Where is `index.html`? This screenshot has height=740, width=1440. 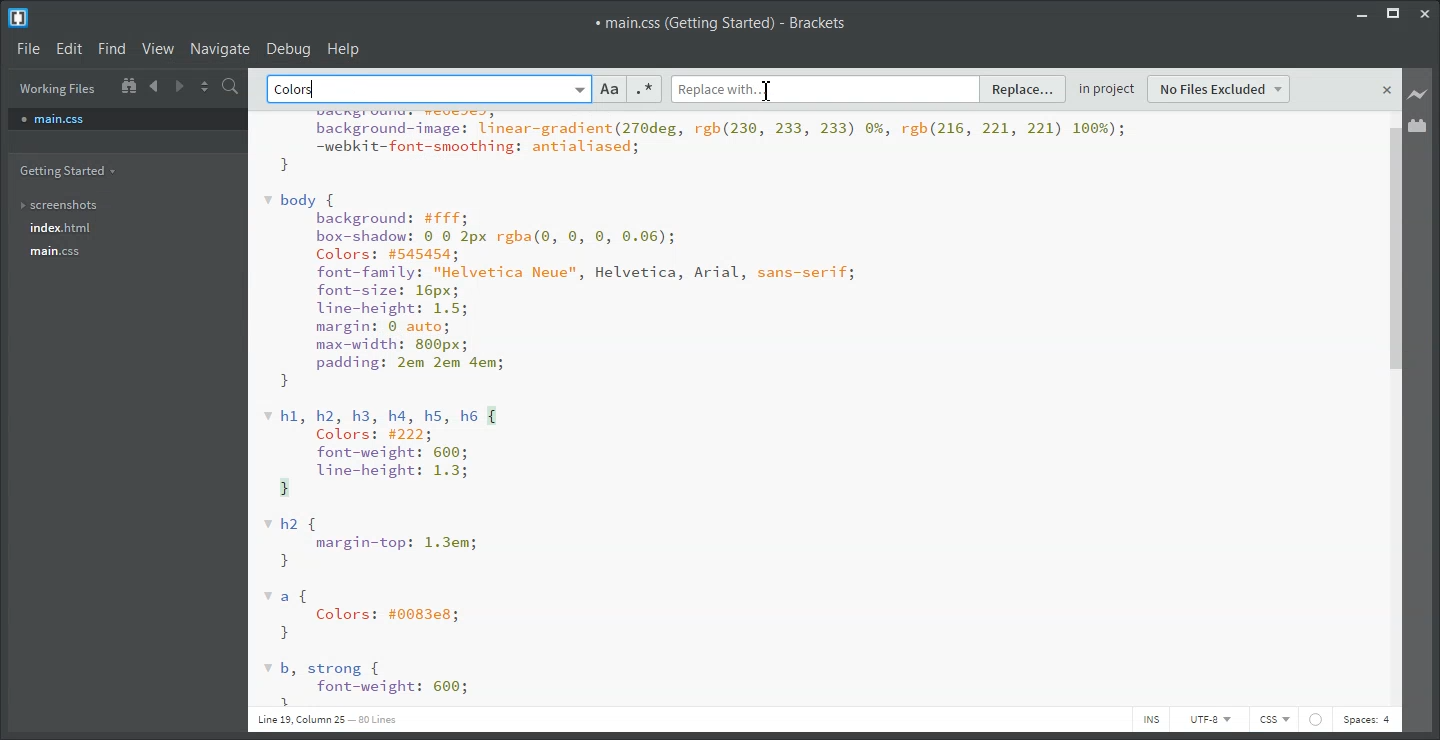 index.html is located at coordinates (71, 228).